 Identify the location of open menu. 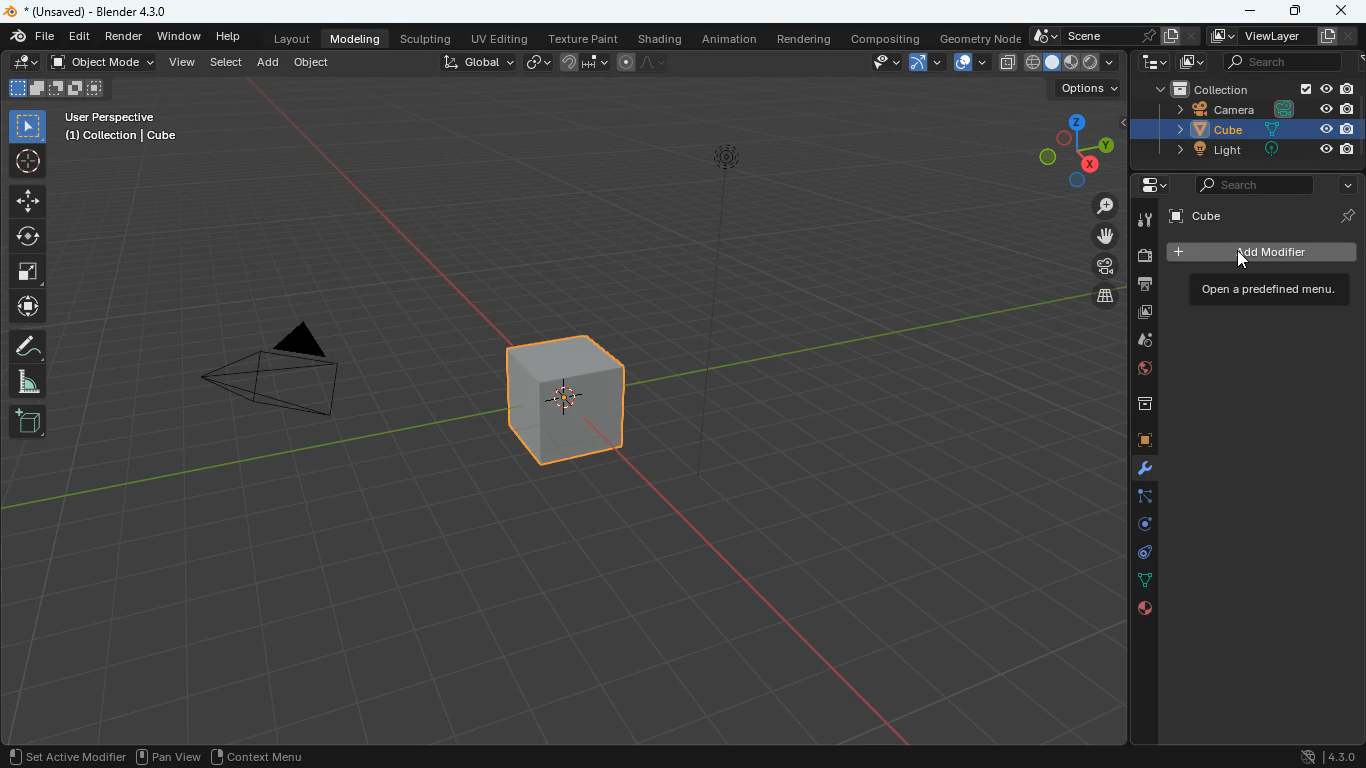
(1268, 291).